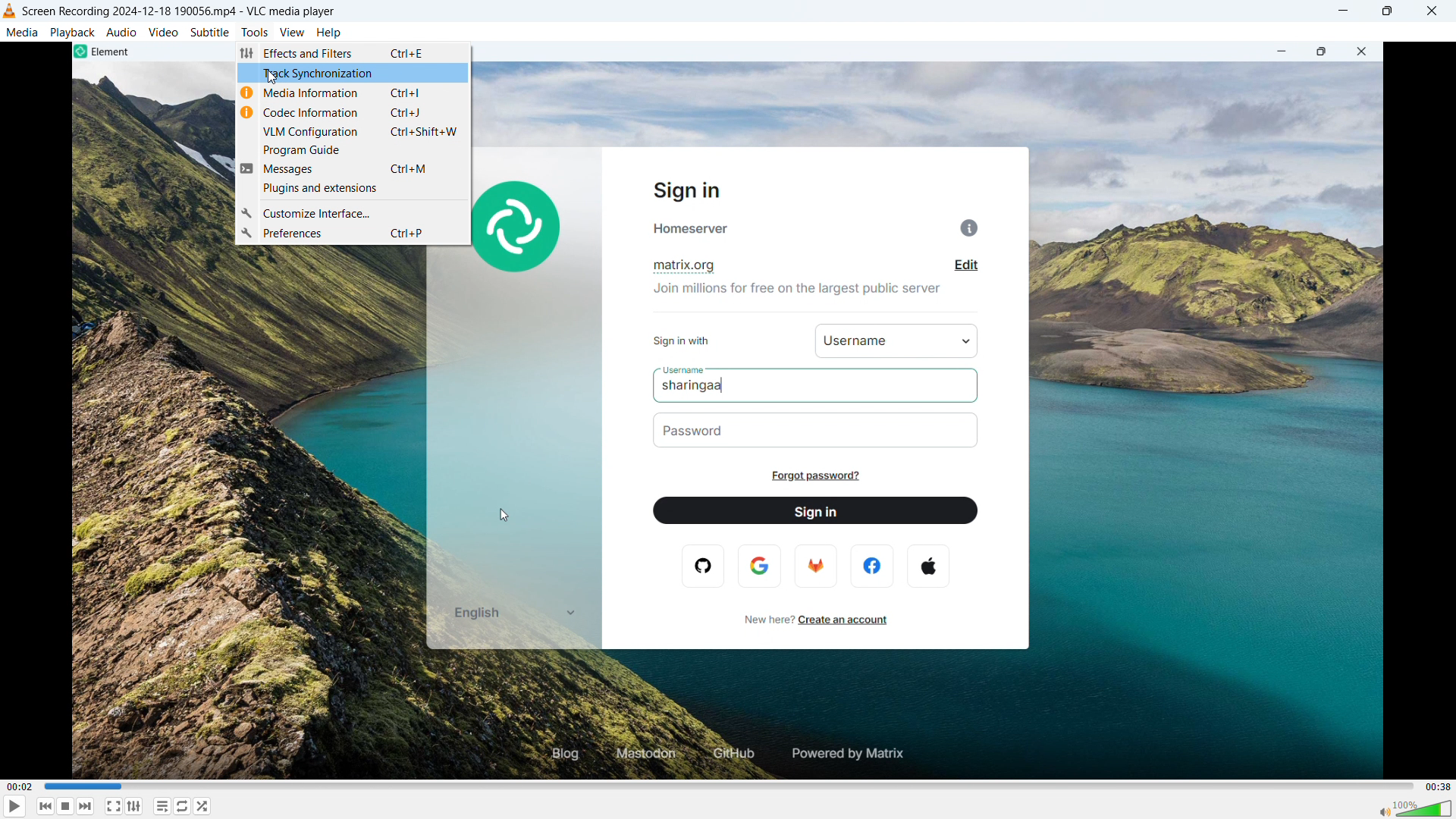 This screenshot has height=819, width=1456. Describe the element at coordinates (730, 786) in the screenshot. I see `time bar` at that location.